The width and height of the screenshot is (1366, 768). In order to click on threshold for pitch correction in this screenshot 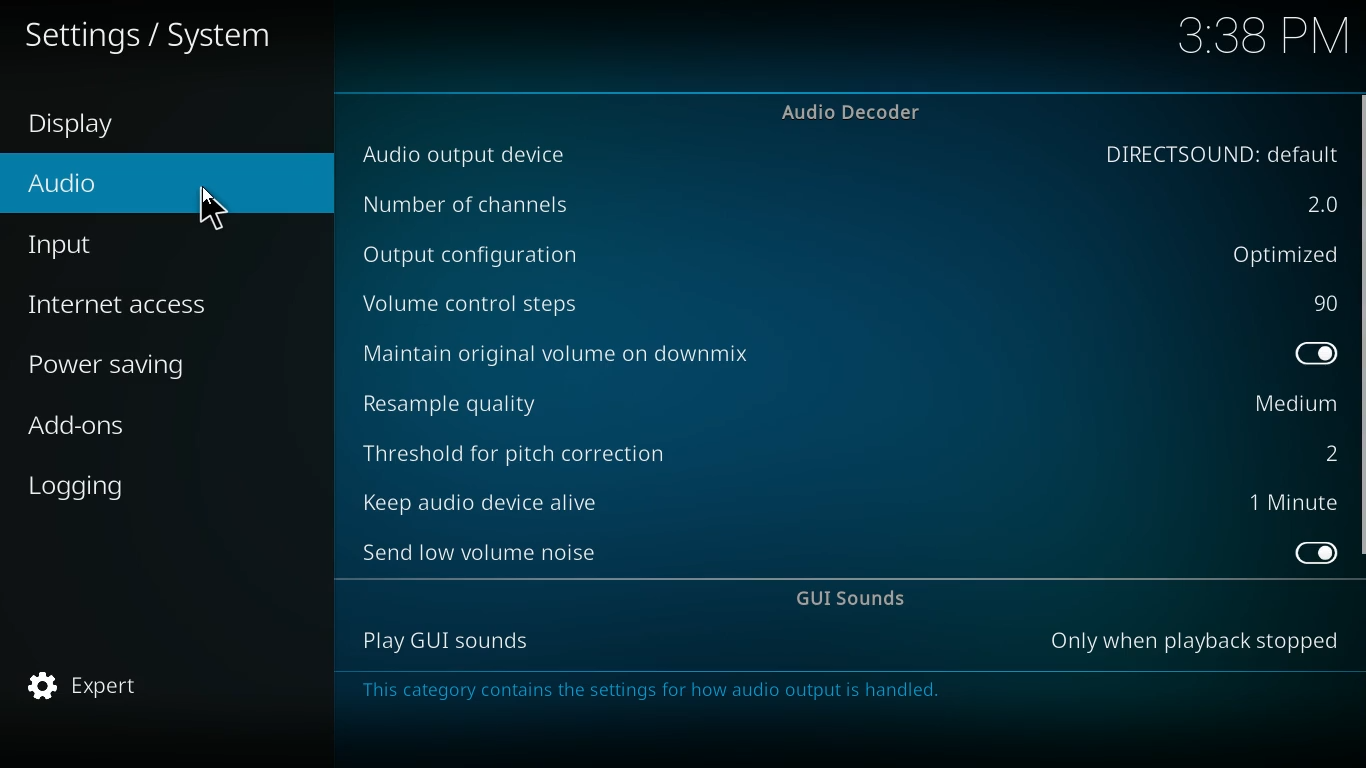, I will do `click(528, 447)`.